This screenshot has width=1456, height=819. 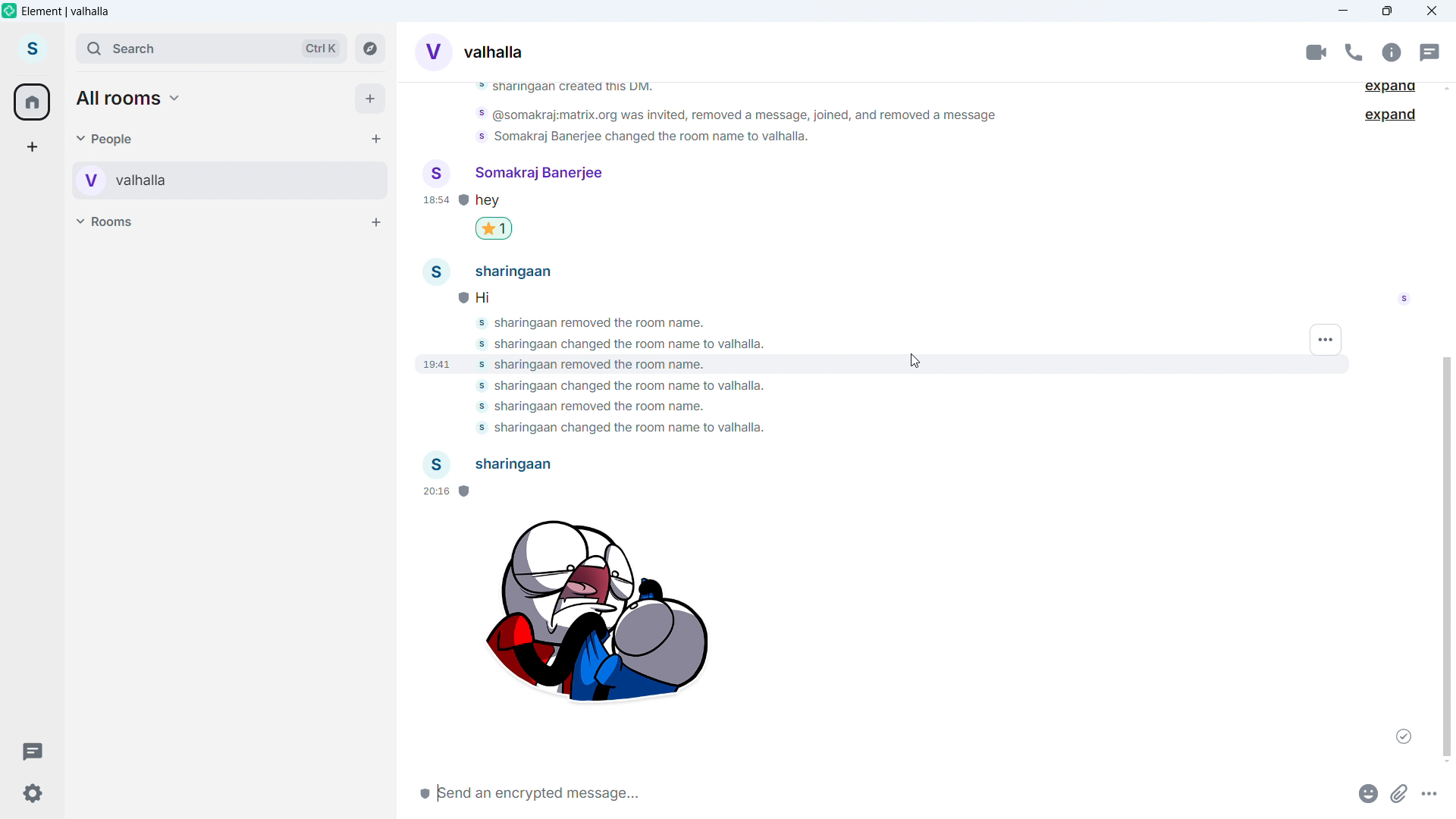 I want to click on somakraj banerjee charged the room name to valhalla, so click(x=614, y=428).